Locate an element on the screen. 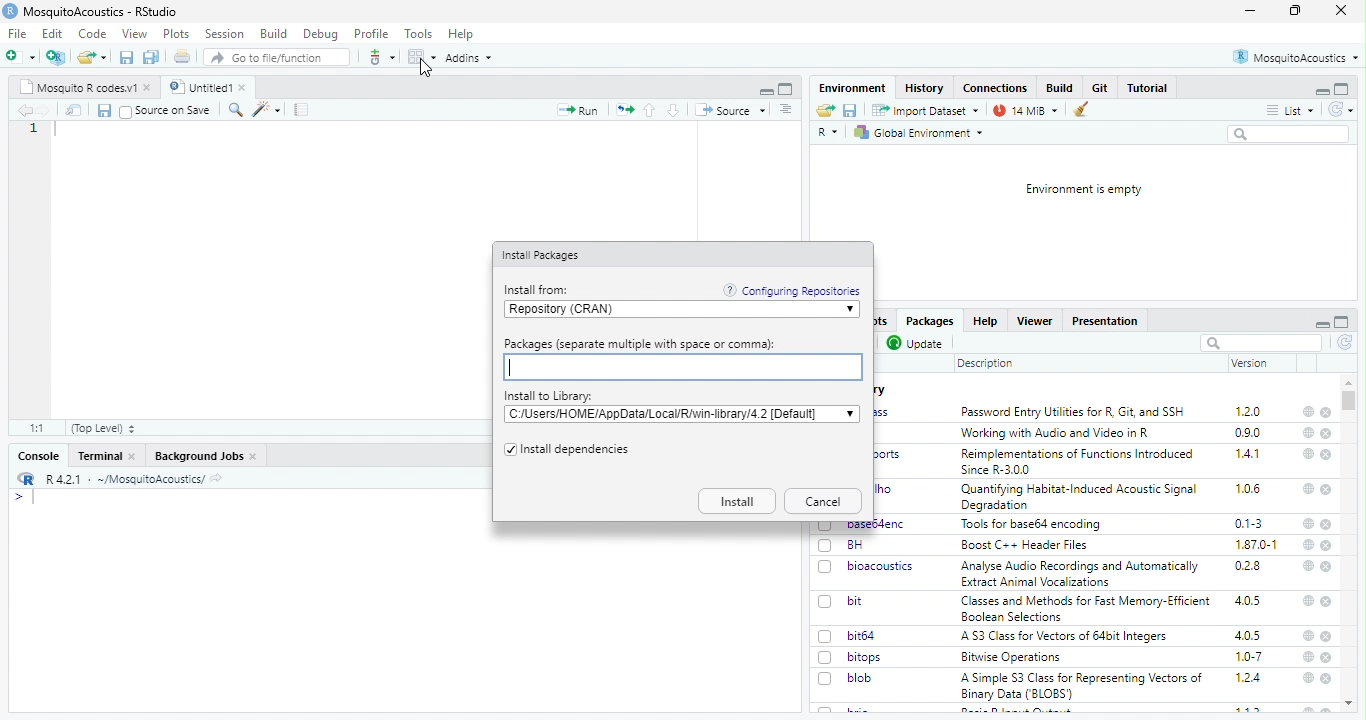 The height and width of the screenshot is (720, 1366). clean is located at coordinates (1075, 110).